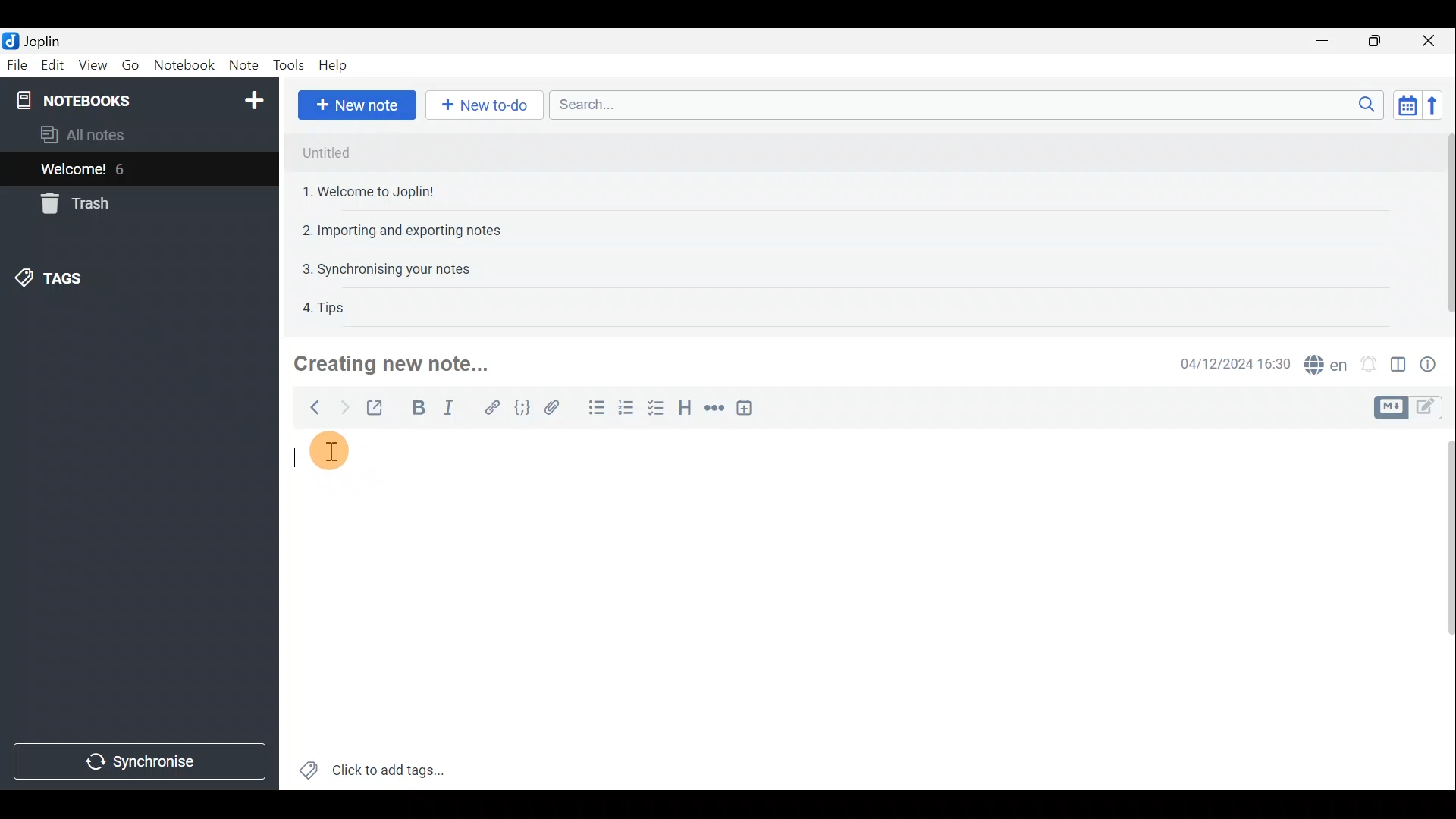 This screenshot has height=819, width=1456. I want to click on Reverse sort order, so click(1436, 105).